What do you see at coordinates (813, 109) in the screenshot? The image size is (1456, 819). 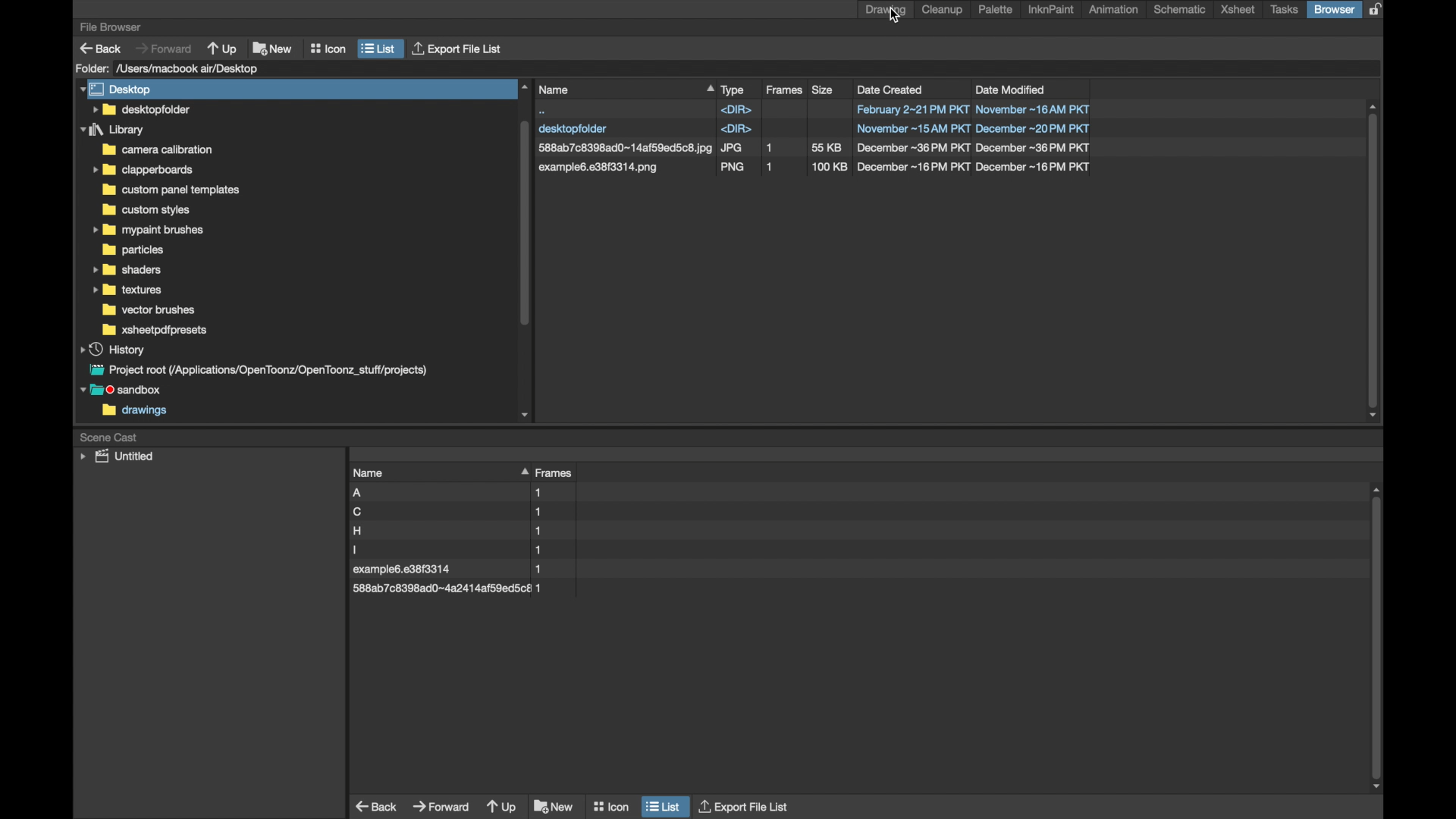 I see `file` at bounding box center [813, 109].